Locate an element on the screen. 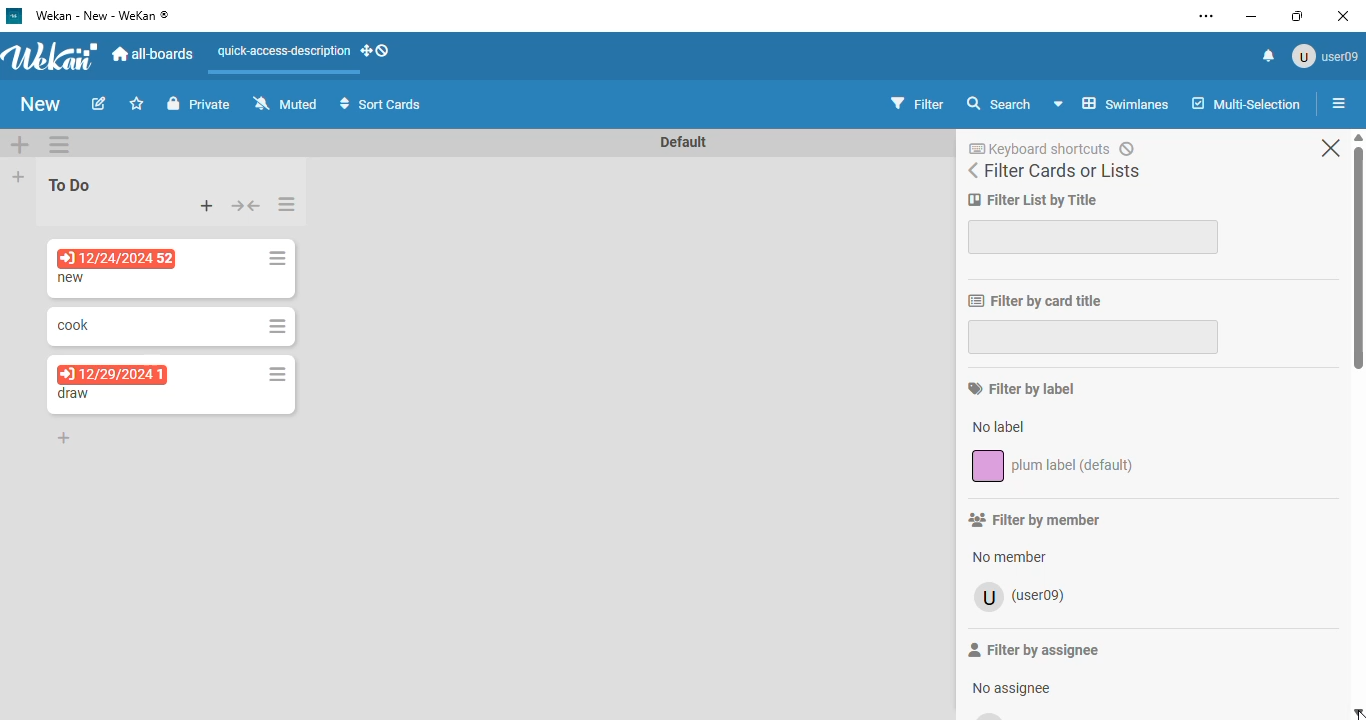 This screenshot has width=1366, height=720. collapse is located at coordinates (246, 206).